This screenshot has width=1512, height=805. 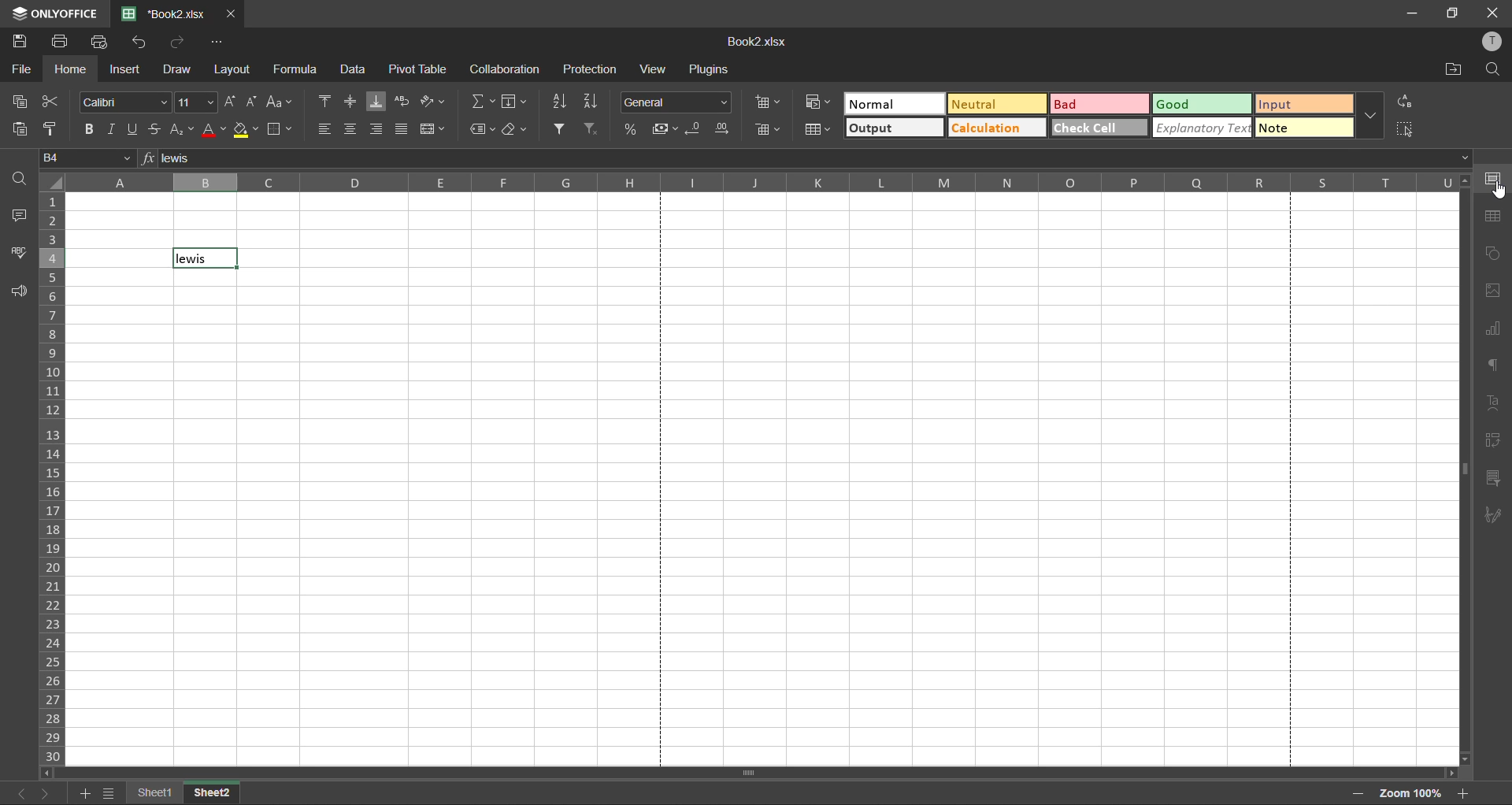 What do you see at coordinates (179, 70) in the screenshot?
I see `draw` at bounding box center [179, 70].